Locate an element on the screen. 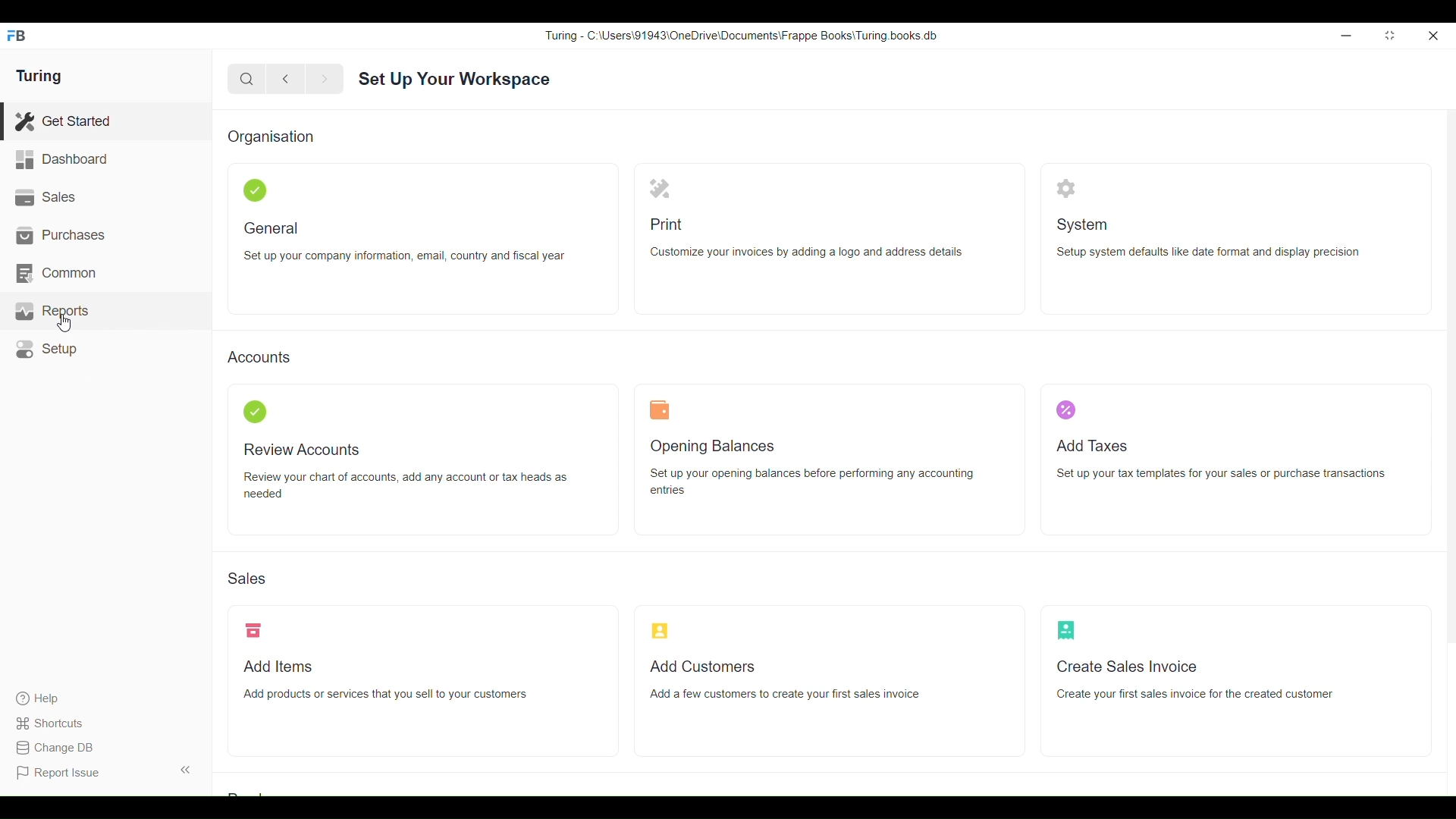 The width and height of the screenshot is (1456, 819). Report Issue is located at coordinates (61, 773).